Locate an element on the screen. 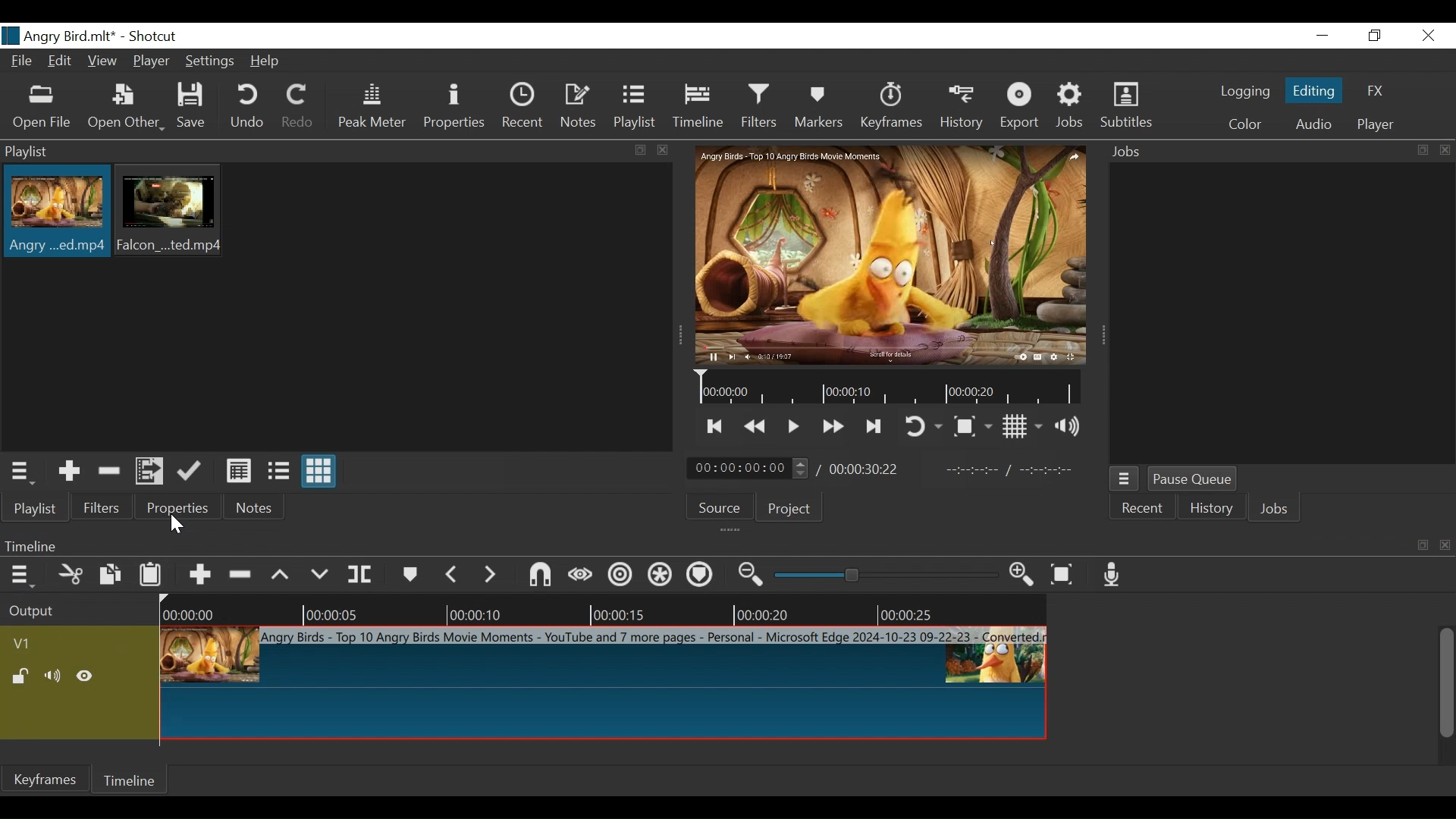 The height and width of the screenshot is (819, 1456). Playlist is located at coordinates (35, 509).